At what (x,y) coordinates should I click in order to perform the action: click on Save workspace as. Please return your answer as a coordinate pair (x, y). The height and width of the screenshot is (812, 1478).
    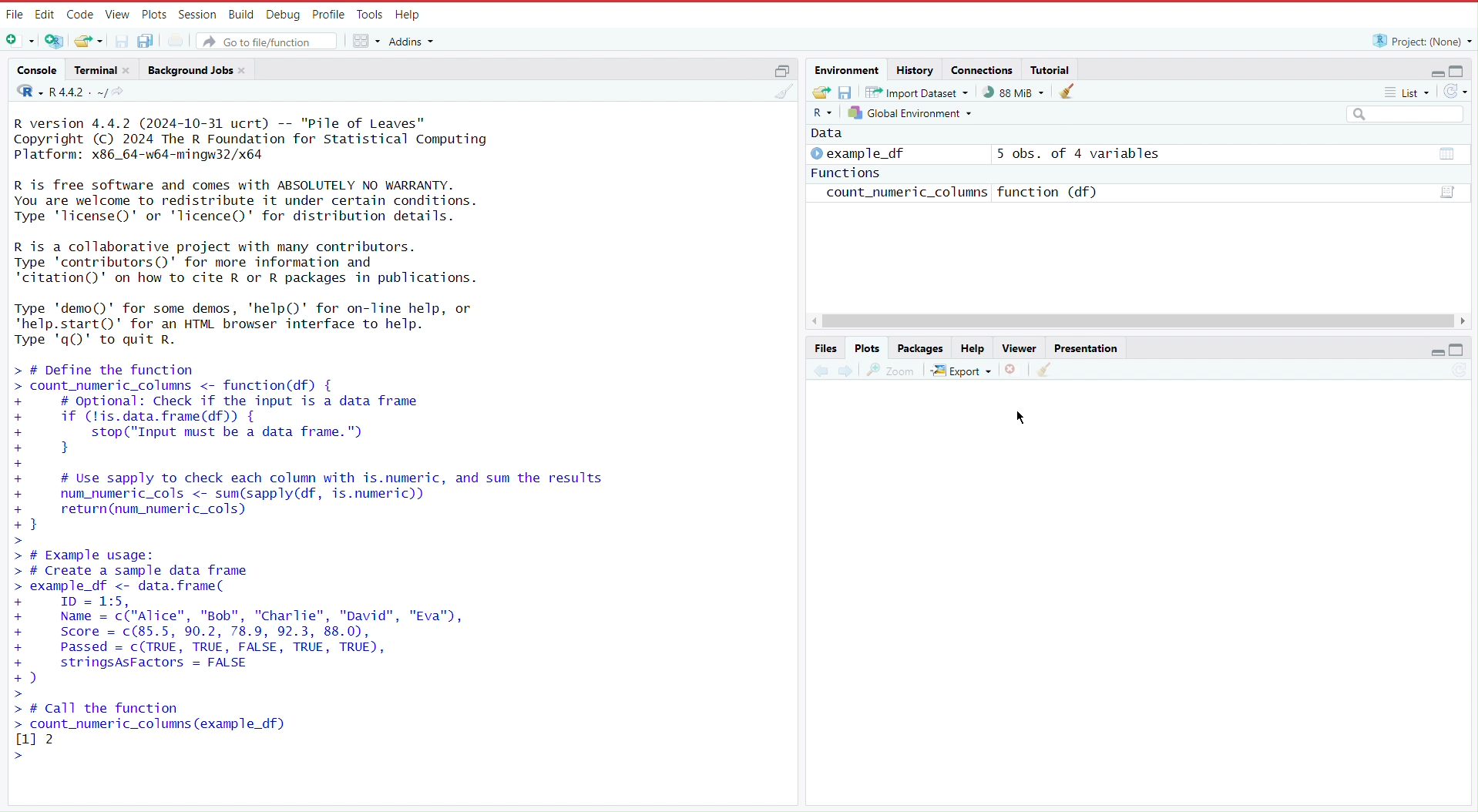
    Looking at the image, I should click on (848, 92).